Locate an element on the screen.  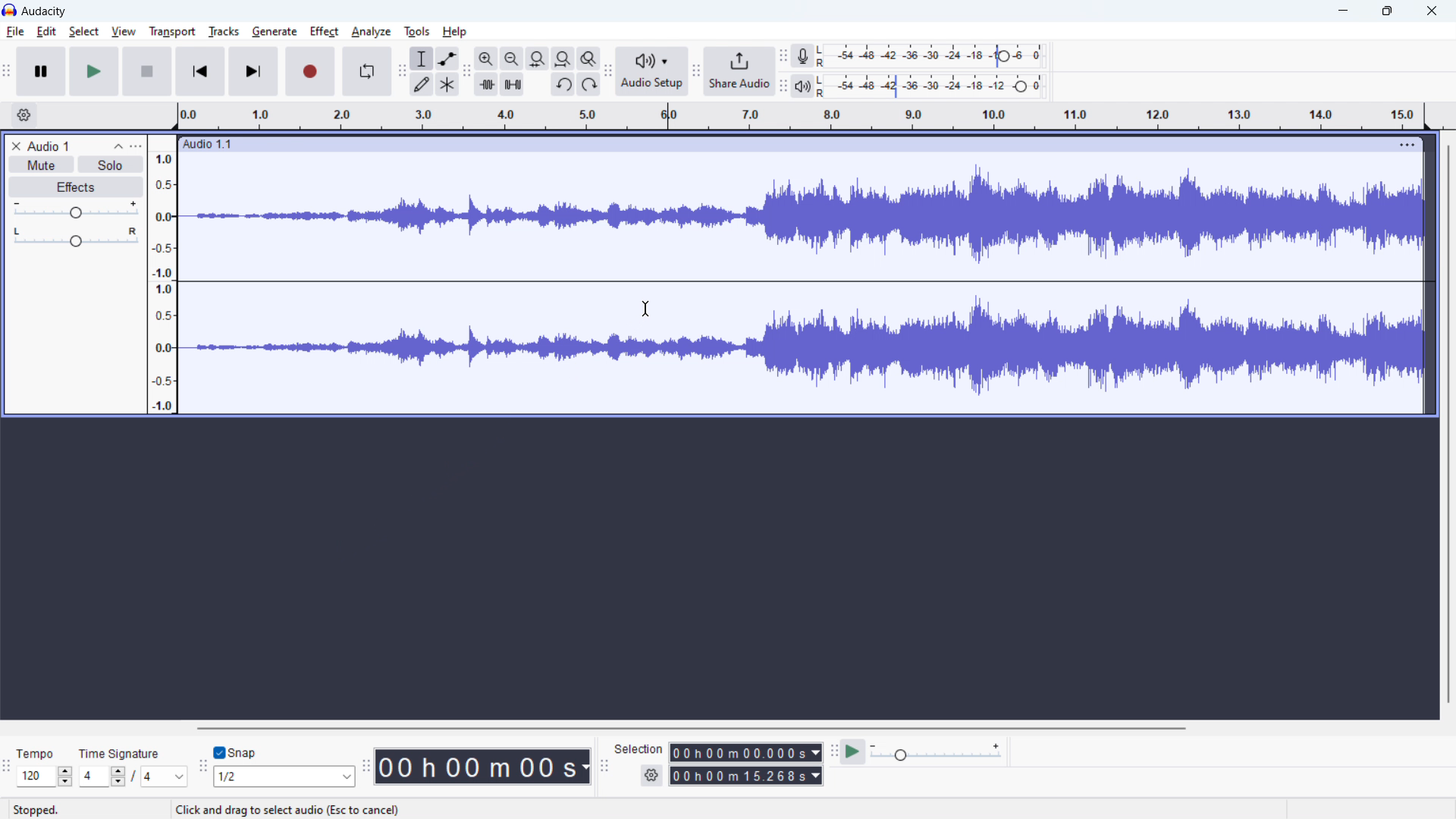
edit is located at coordinates (47, 31).